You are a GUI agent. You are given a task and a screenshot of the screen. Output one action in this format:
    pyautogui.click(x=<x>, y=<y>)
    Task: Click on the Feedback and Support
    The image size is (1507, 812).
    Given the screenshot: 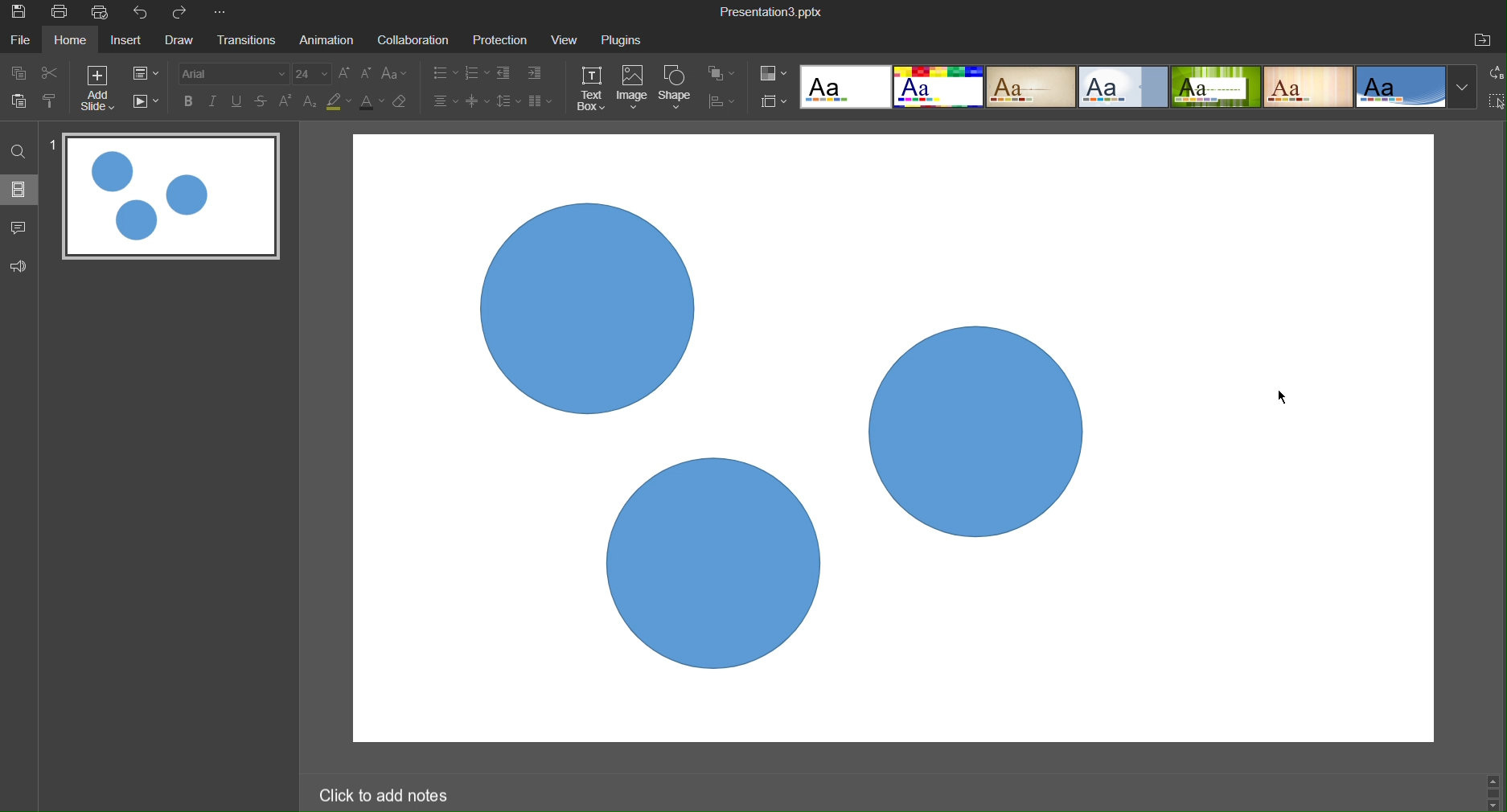 What is the action you would take?
    pyautogui.click(x=18, y=265)
    